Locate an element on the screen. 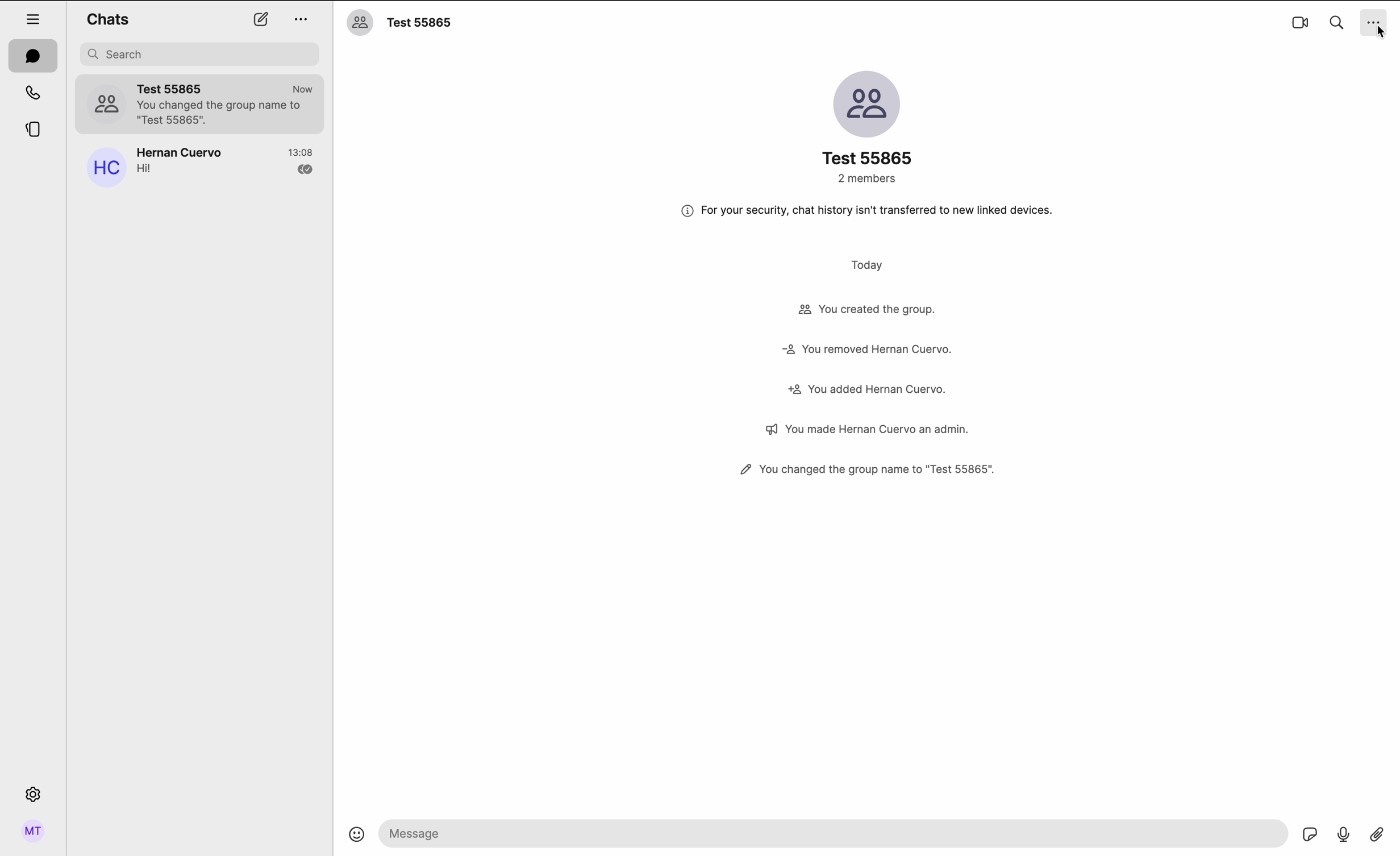  name group is located at coordinates (867, 159).